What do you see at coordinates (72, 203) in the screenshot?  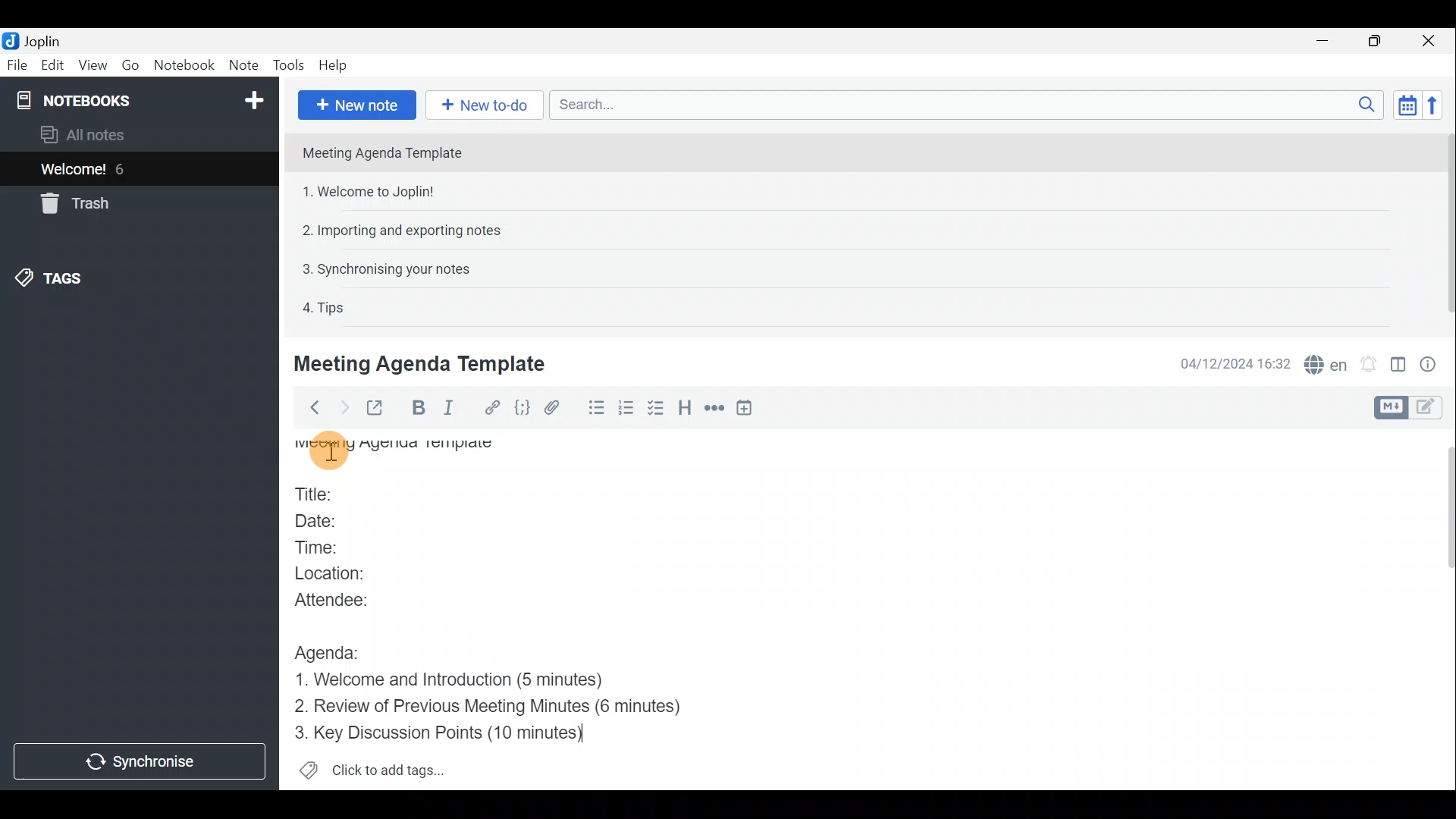 I see `Trash` at bounding box center [72, 203].